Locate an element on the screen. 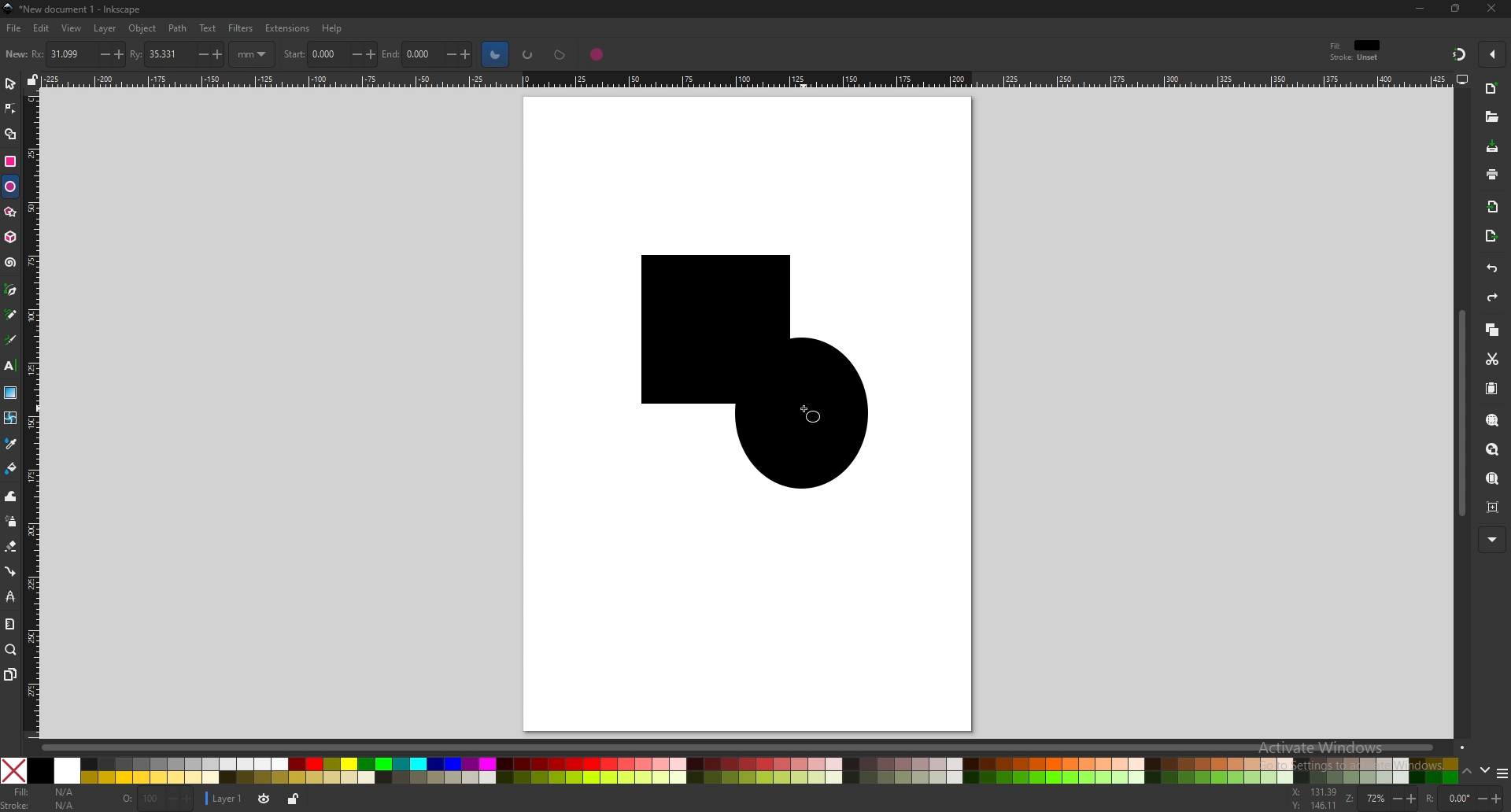 The height and width of the screenshot is (812, 1511). text is located at coordinates (208, 28).